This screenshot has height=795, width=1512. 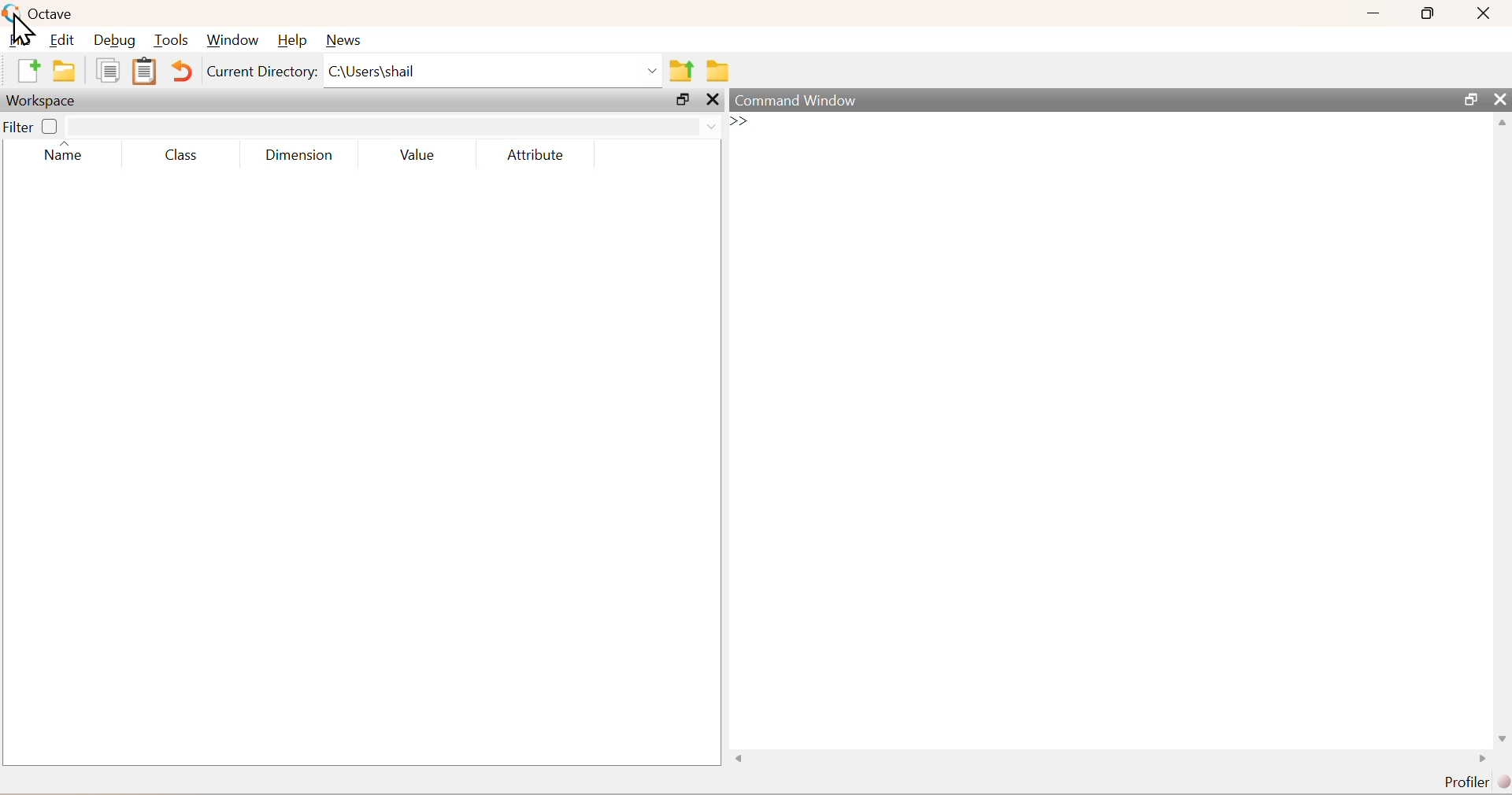 I want to click on Edit, so click(x=64, y=40).